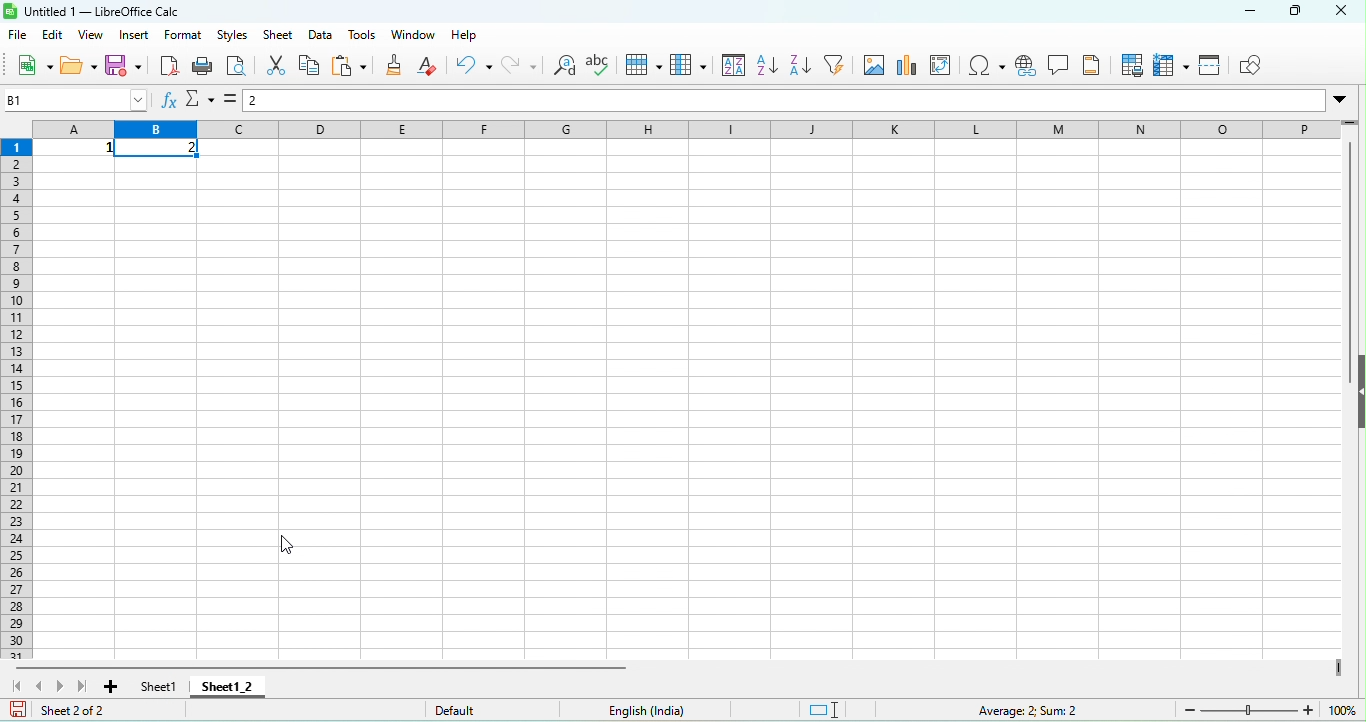 This screenshot has height=722, width=1366. I want to click on clear direct formatting, so click(432, 65).